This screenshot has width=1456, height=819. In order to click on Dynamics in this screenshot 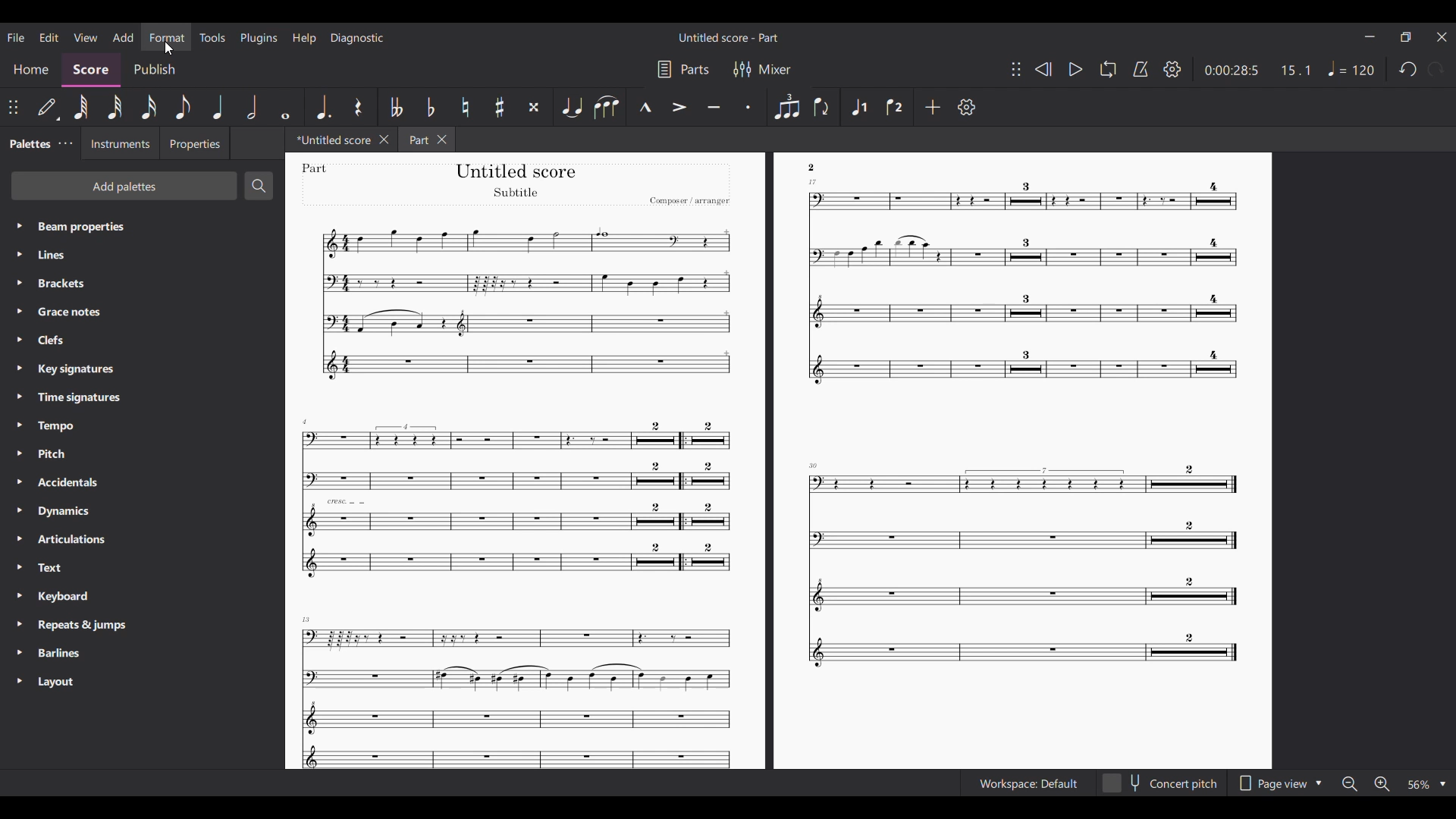, I will do `click(65, 510)`.